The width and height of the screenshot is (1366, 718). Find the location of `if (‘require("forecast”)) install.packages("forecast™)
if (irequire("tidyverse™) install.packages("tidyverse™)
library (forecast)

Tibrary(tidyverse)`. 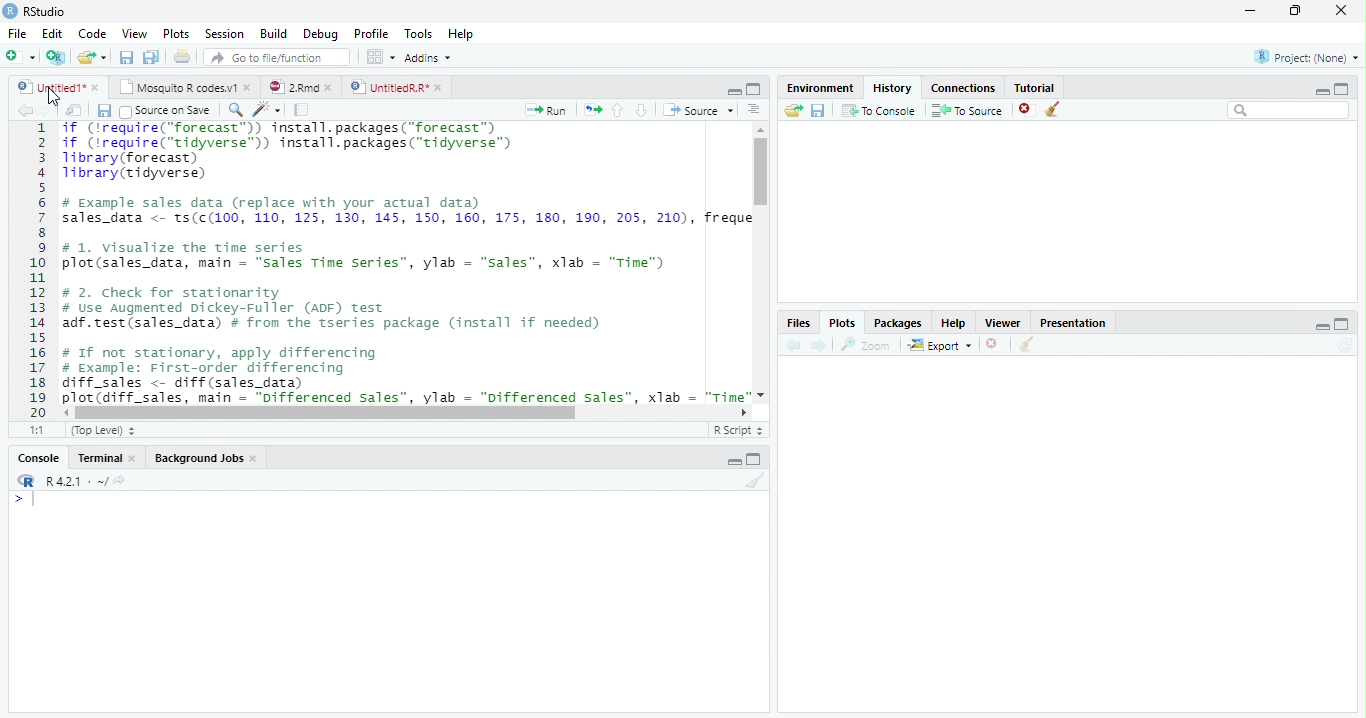

if (‘require("forecast”)) install.packages("forecast™)
if (irequire("tidyverse™) install.packages("tidyverse™)
library (forecast)

Tibrary(tidyverse) is located at coordinates (299, 151).